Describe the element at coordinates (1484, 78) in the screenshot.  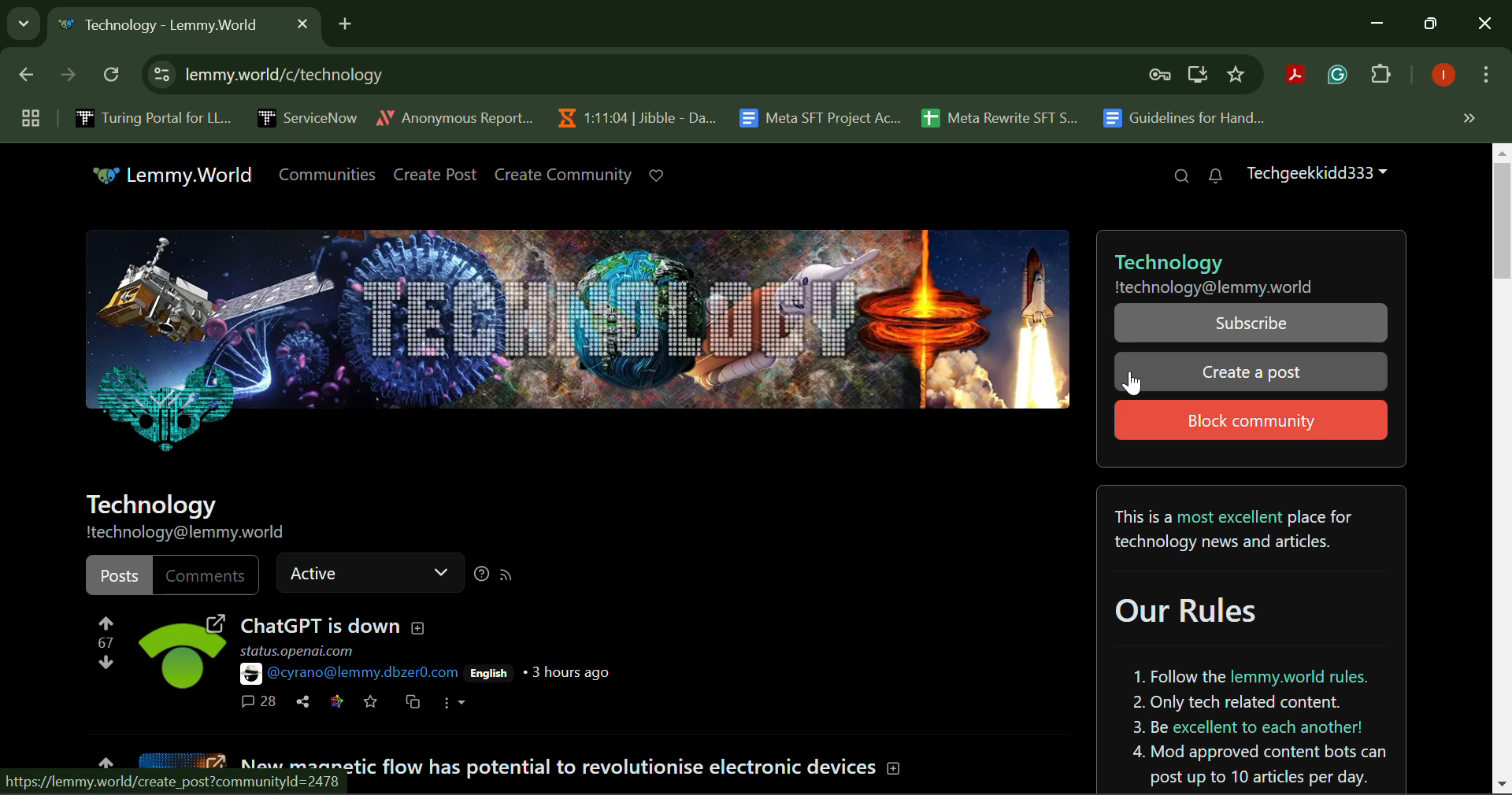
I see `More Options` at that location.